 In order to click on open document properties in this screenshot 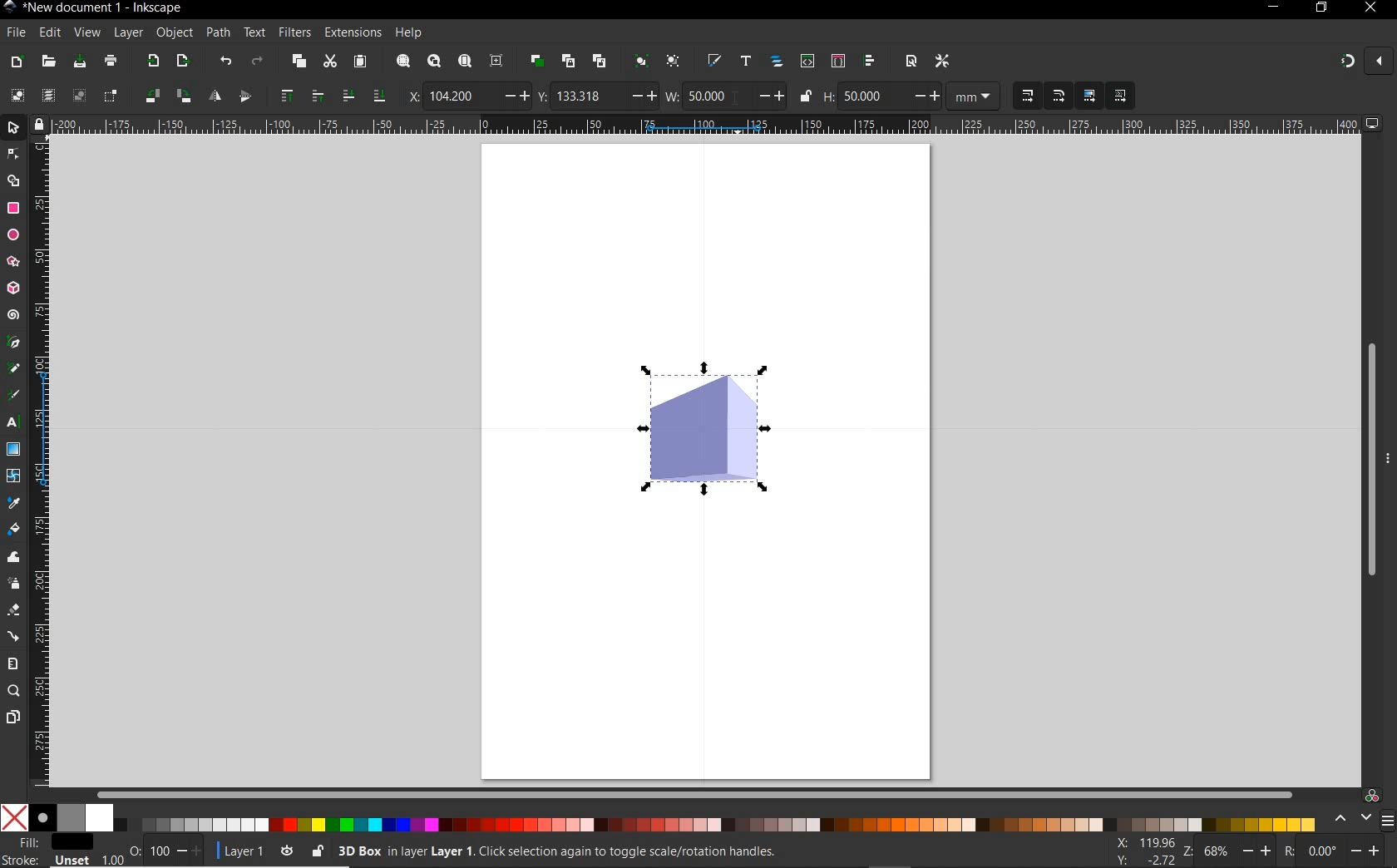, I will do `click(911, 62)`.